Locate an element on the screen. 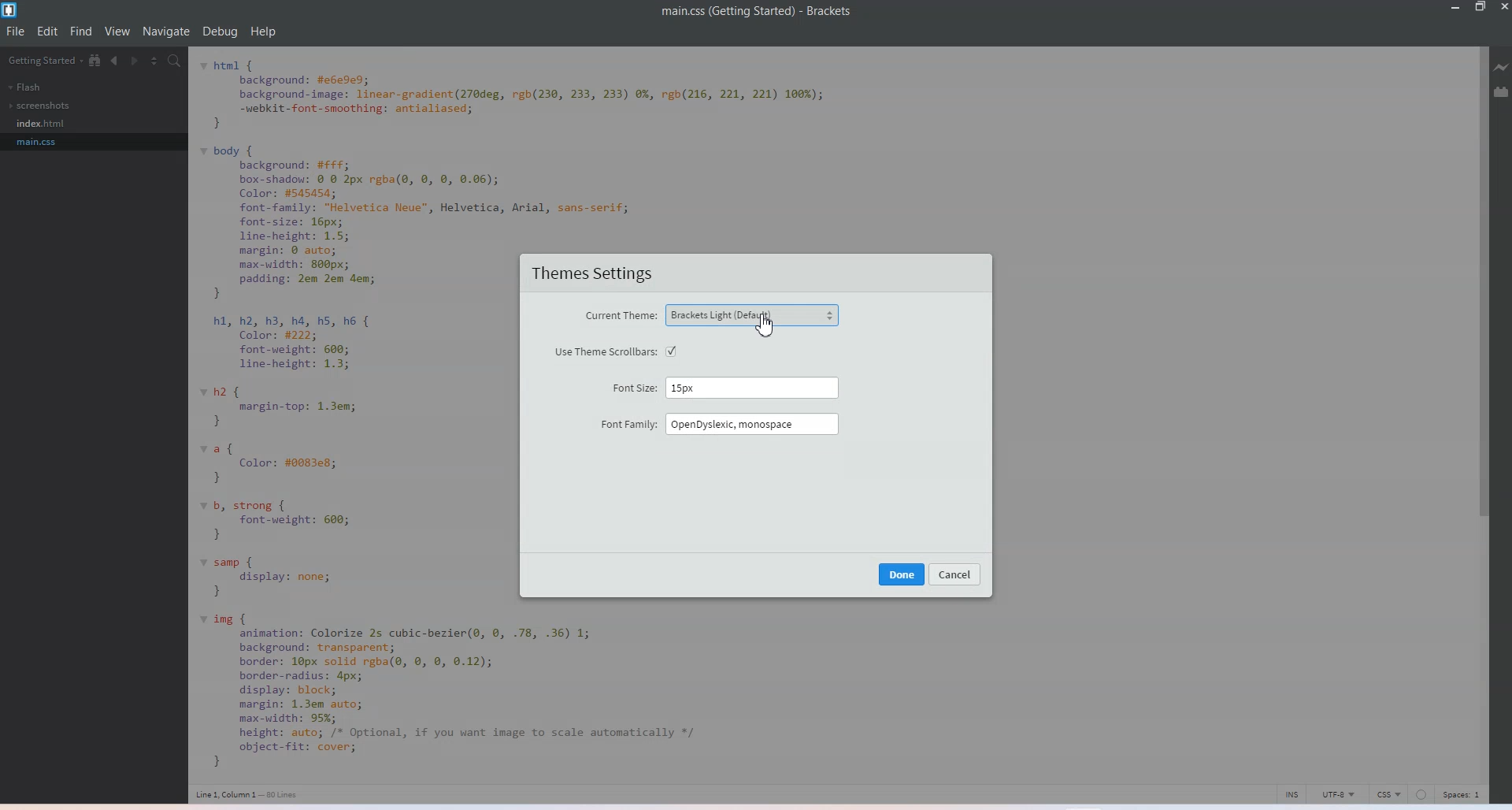  File name is located at coordinates (757, 12).